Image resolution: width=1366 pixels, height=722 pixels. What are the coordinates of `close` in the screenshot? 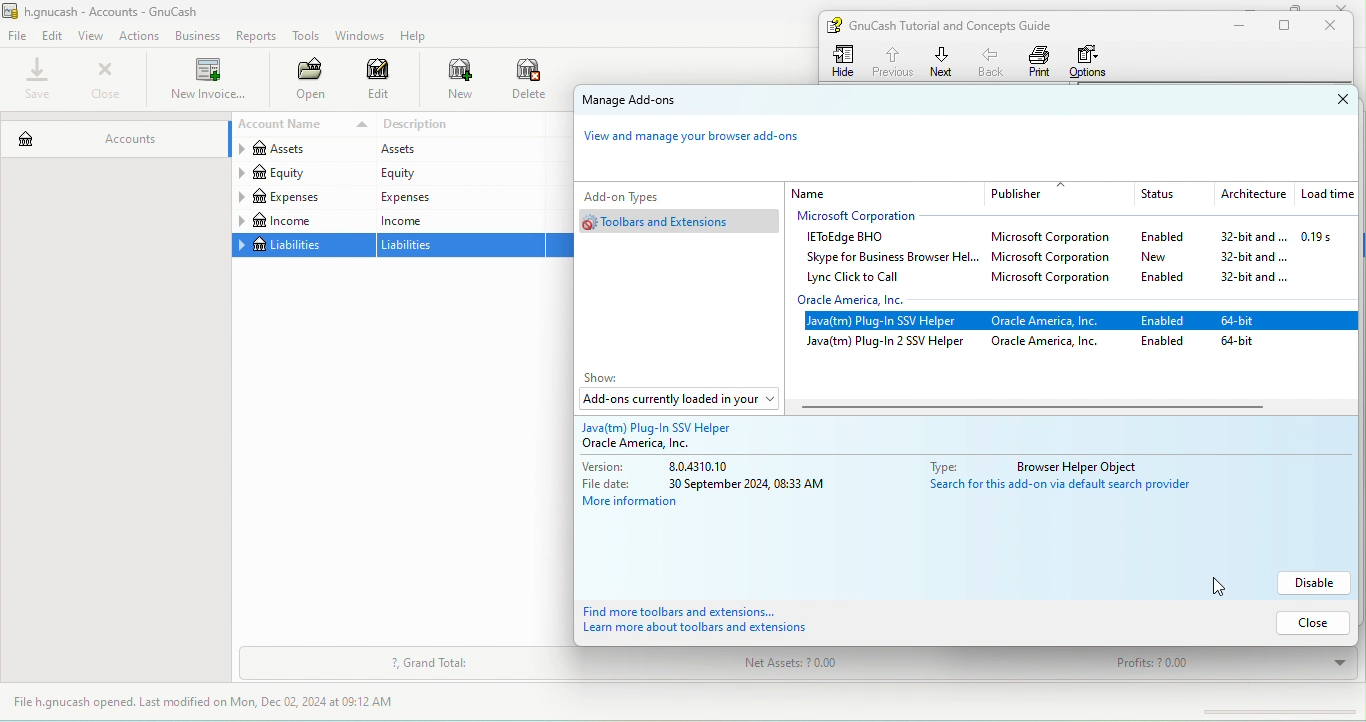 It's located at (1336, 26).